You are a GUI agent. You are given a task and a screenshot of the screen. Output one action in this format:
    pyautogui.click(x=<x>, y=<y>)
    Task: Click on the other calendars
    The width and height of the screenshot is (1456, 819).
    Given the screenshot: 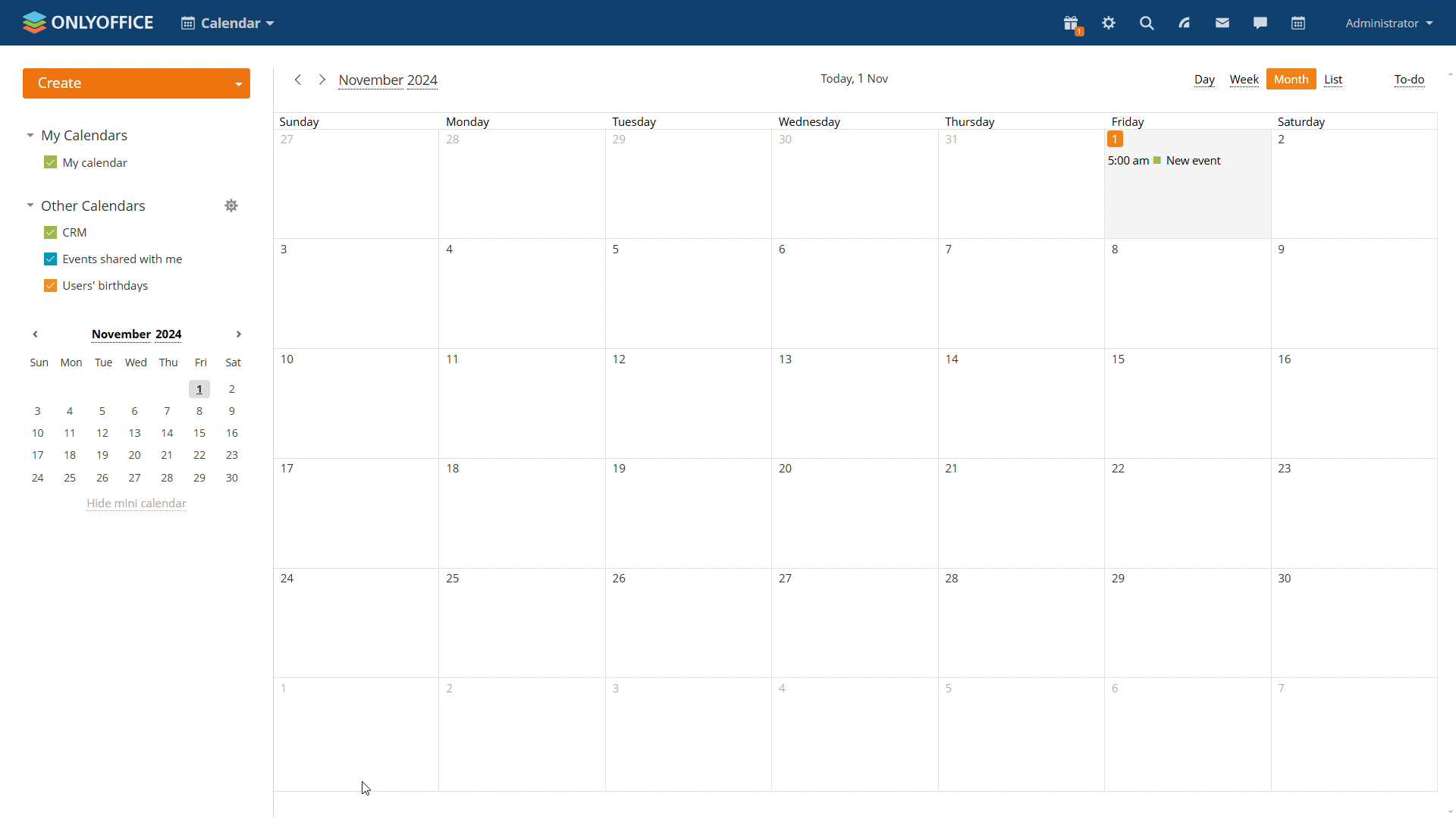 What is the action you would take?
    pyautogui.click(x=86, y=206)
    